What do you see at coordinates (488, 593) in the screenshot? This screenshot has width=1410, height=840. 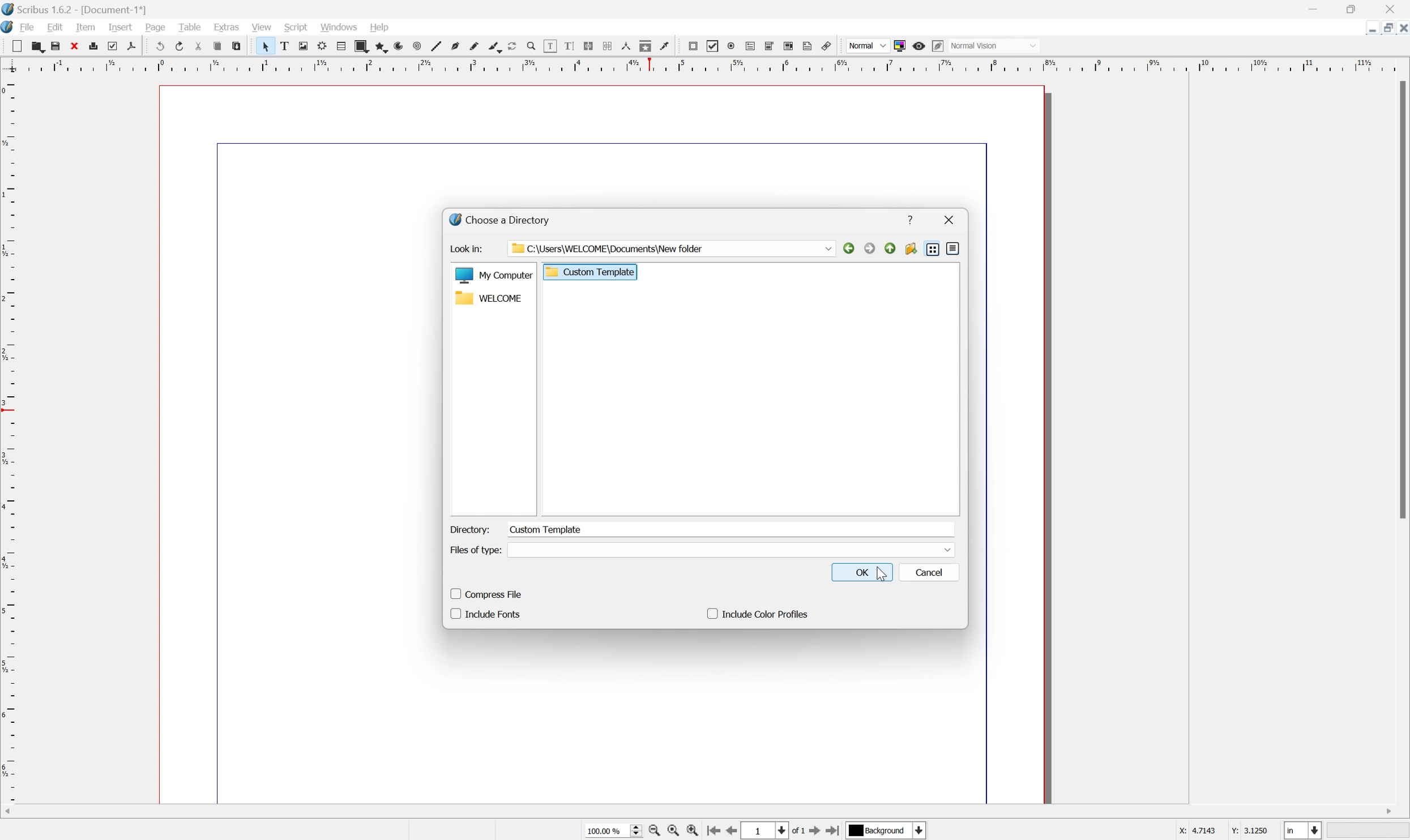 I see `compress file` at bounding box center [488, 593].